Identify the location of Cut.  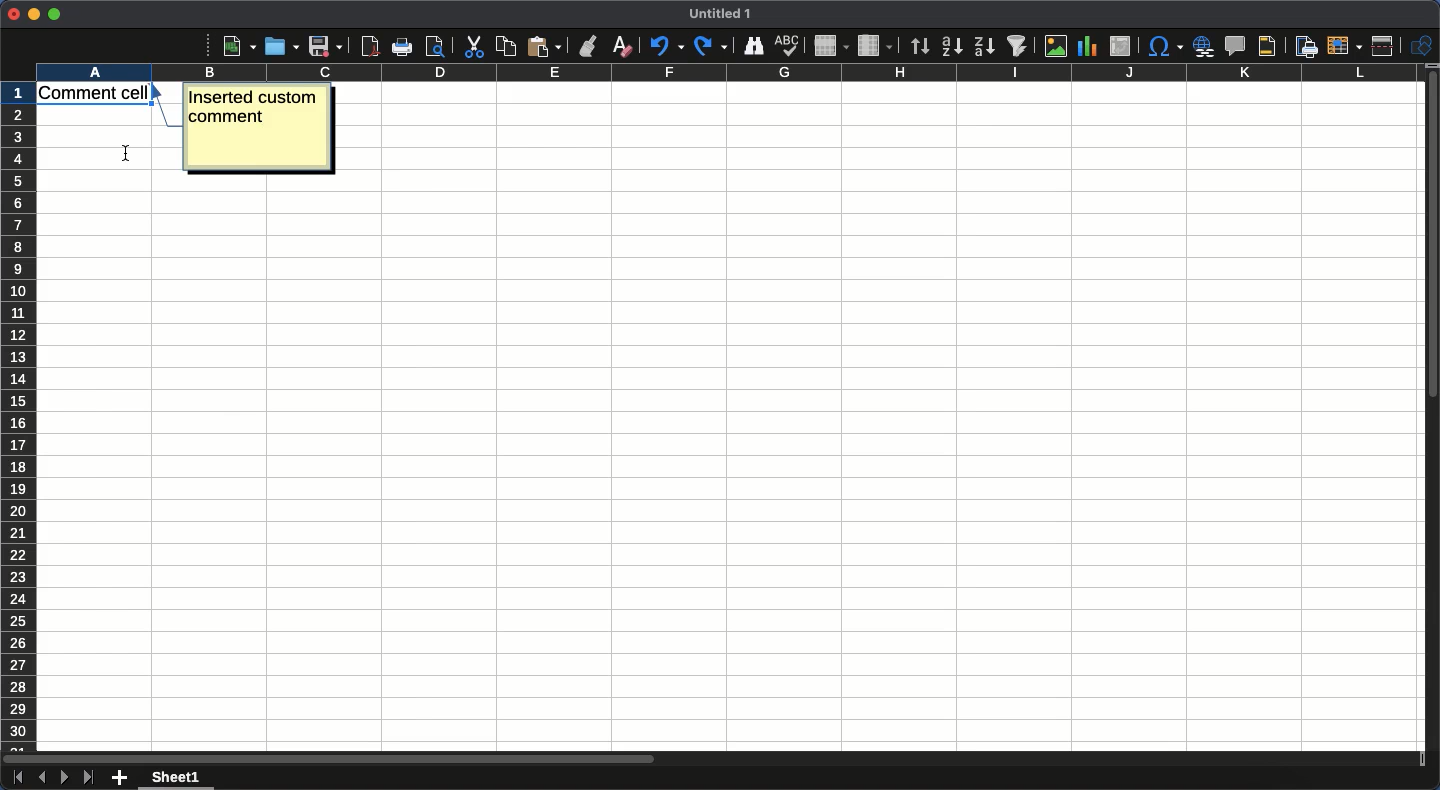
(476, 44).